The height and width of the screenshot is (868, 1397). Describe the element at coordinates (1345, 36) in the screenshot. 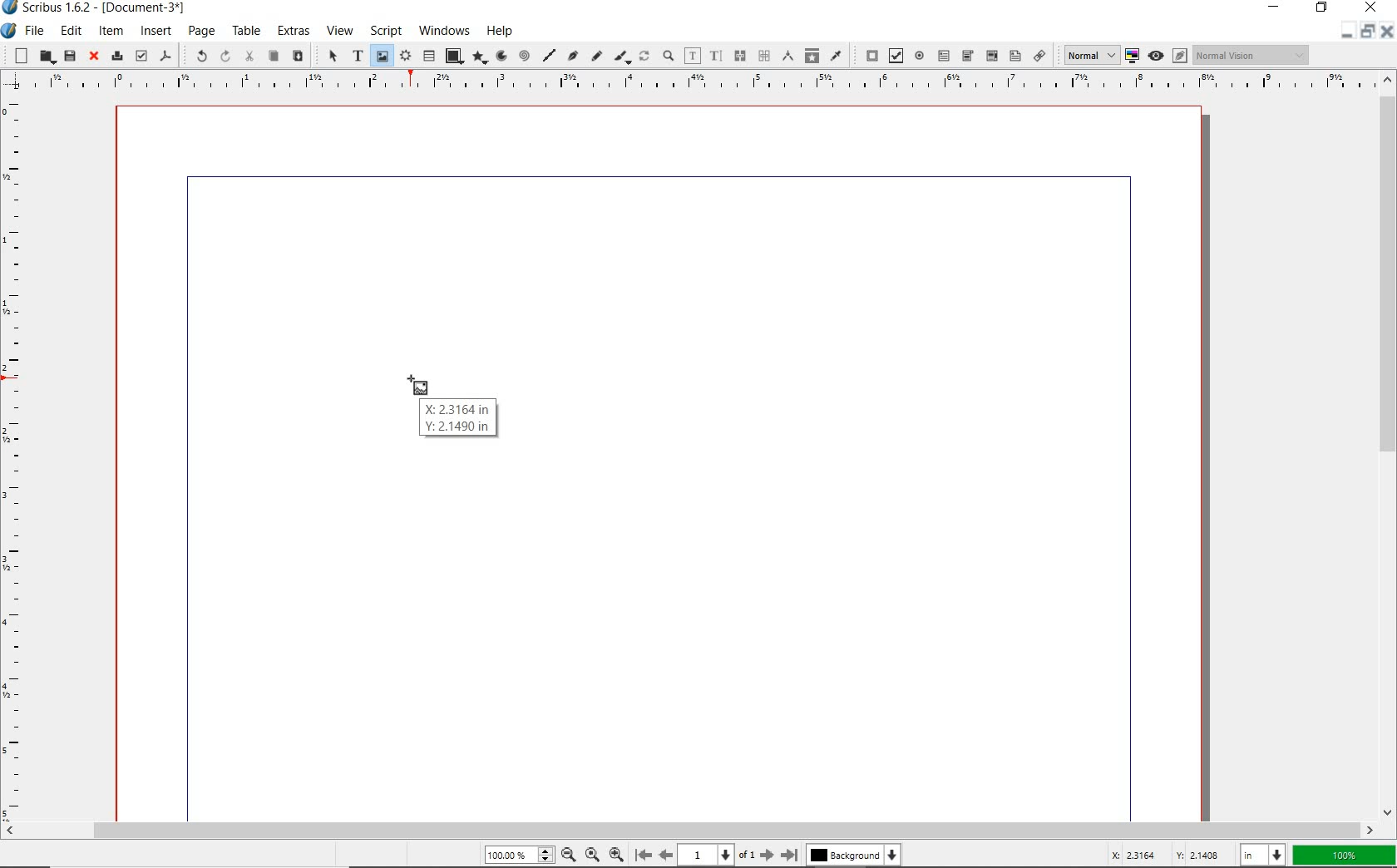

I see `minimize` at that location.